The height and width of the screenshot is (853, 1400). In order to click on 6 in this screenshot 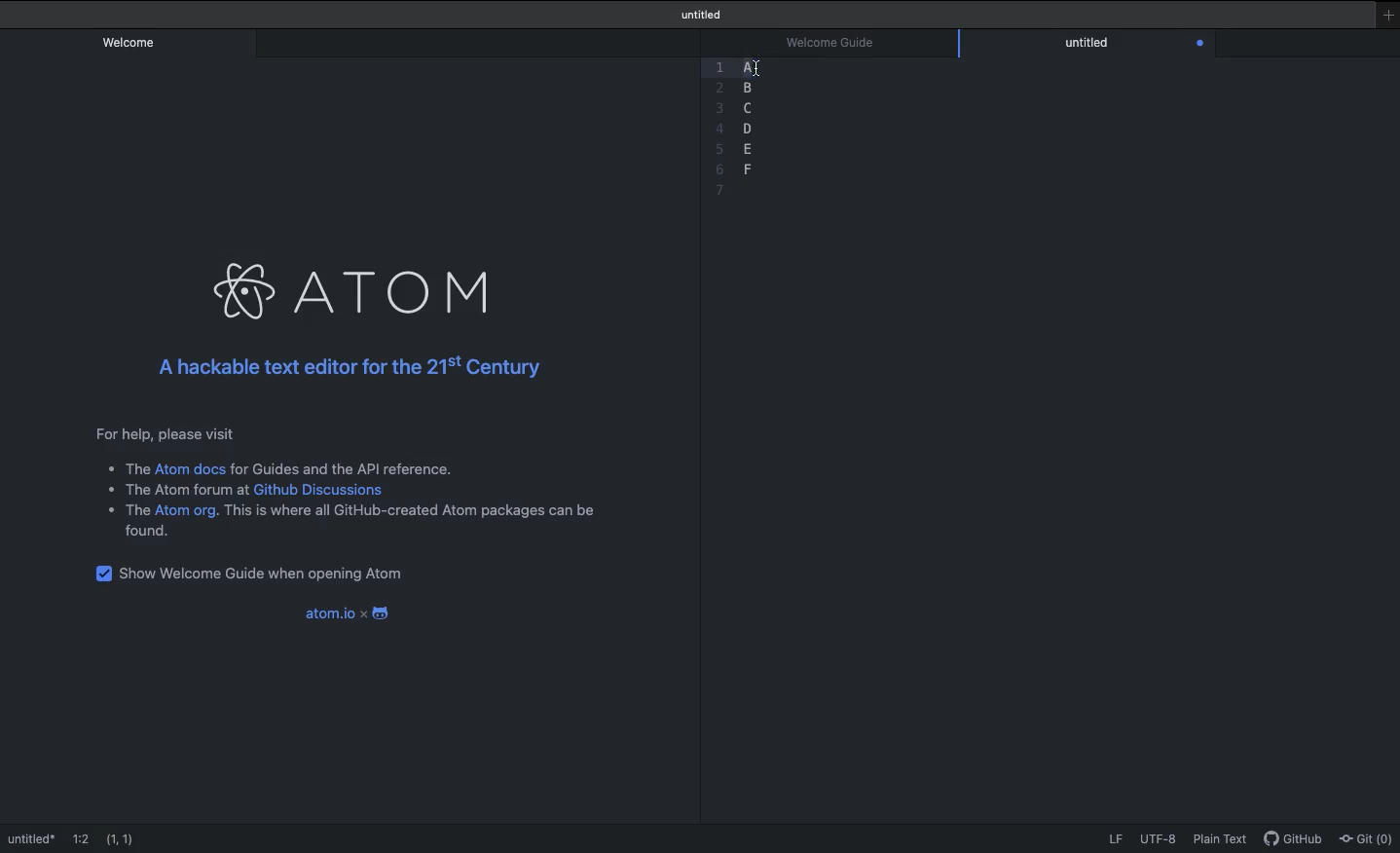, I will do `click(719, 172)`.